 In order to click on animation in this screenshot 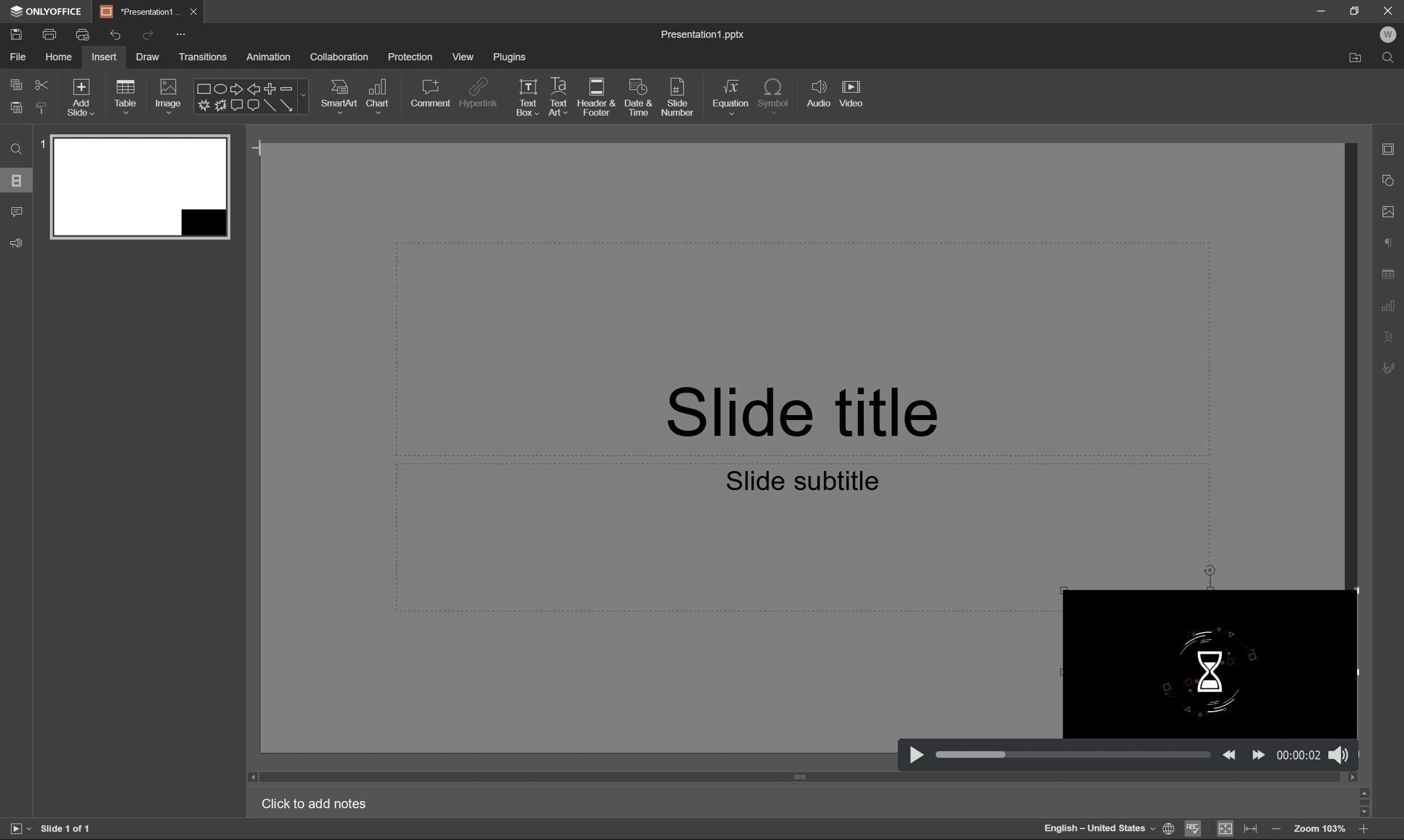, I will do `click(271, 57)`.